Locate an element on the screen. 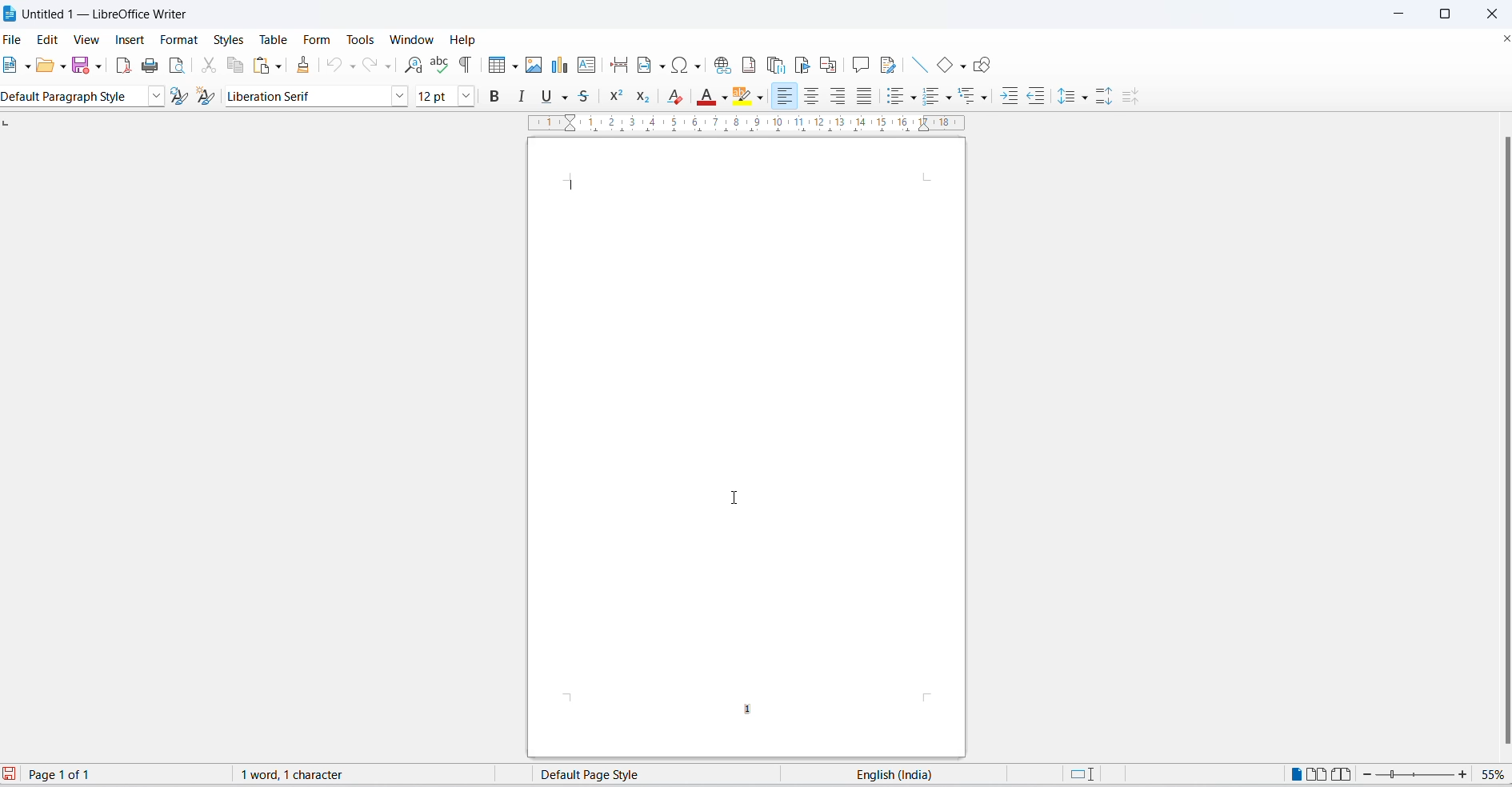  redo is located at coordinates (369, 67).